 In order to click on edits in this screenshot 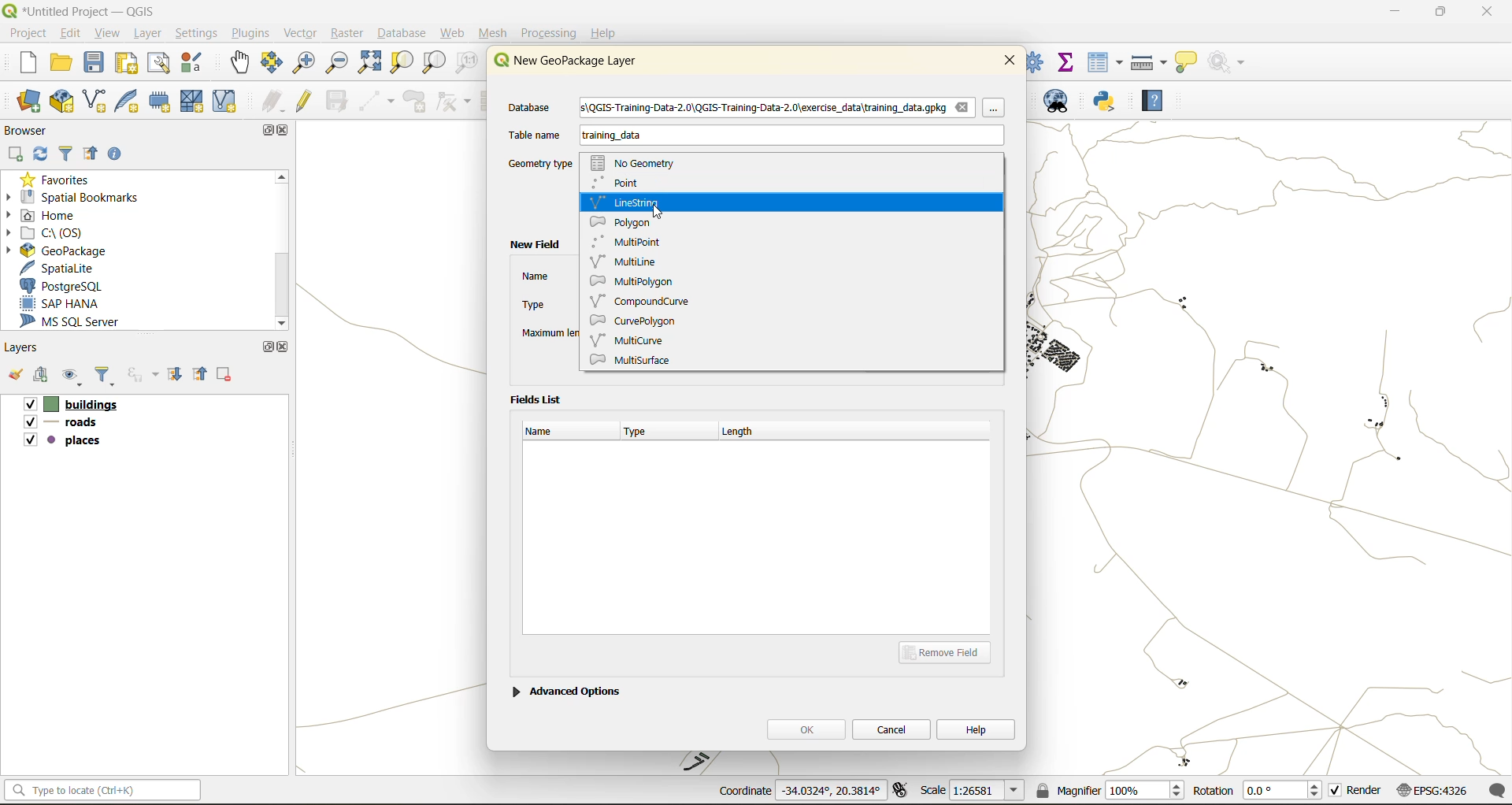, I will do `click(273, 102)`.